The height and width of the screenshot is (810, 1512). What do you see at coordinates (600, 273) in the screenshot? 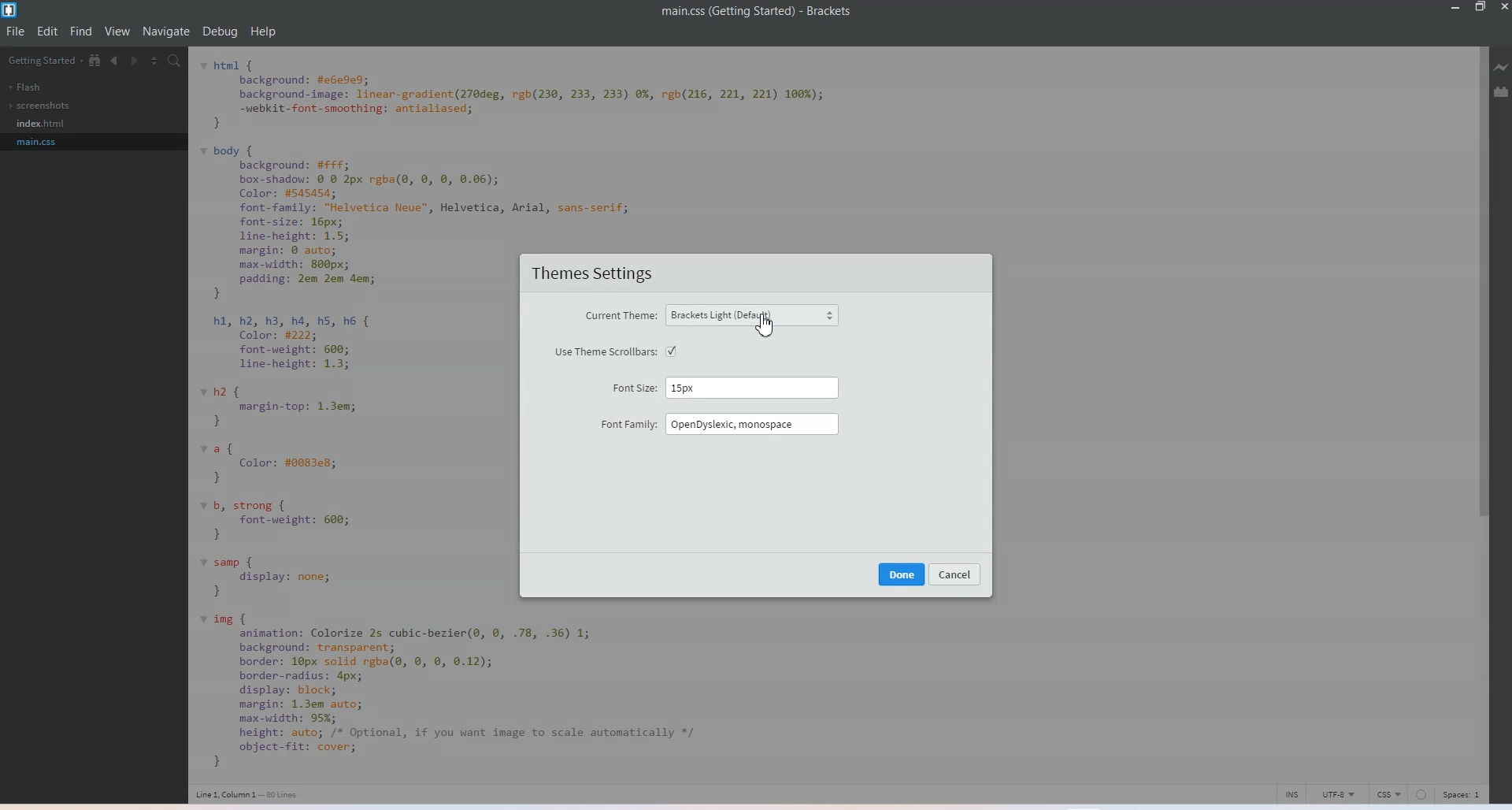
I see `Theme settings` at bounding box center [600, 273].